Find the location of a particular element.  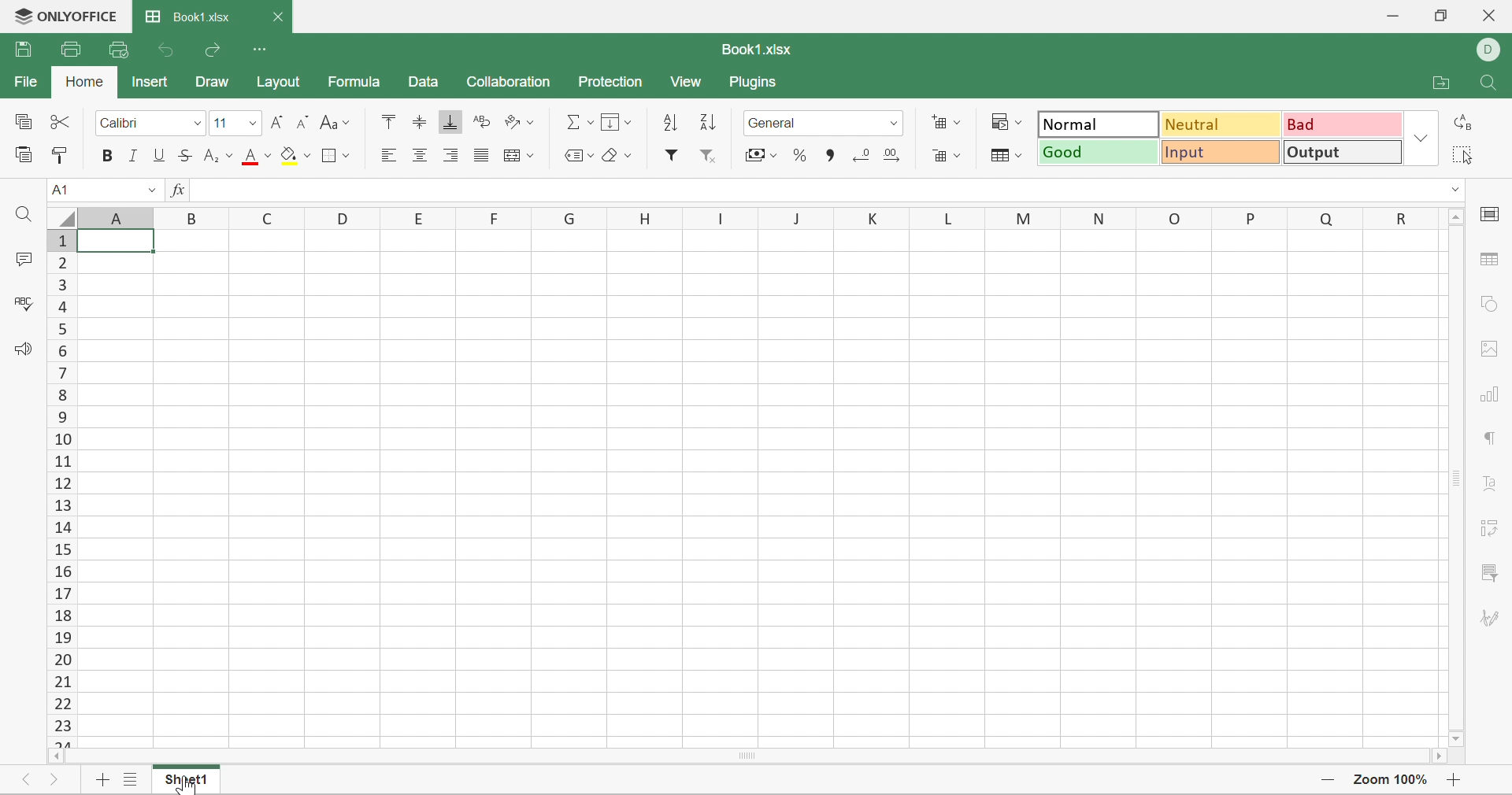

fx is located at coordinates (174, 190).